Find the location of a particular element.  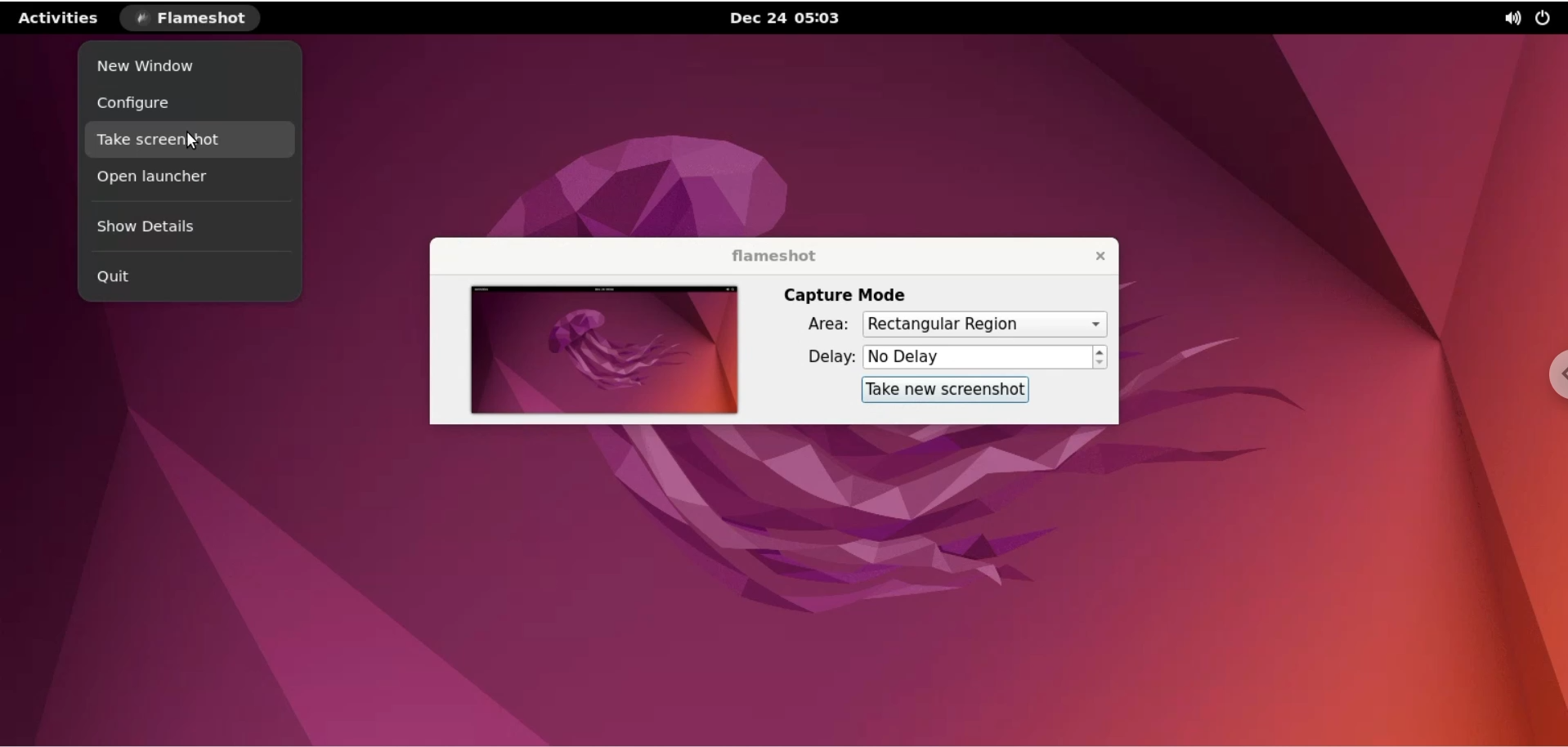

flameshot options is located at coordinates (195, 17).